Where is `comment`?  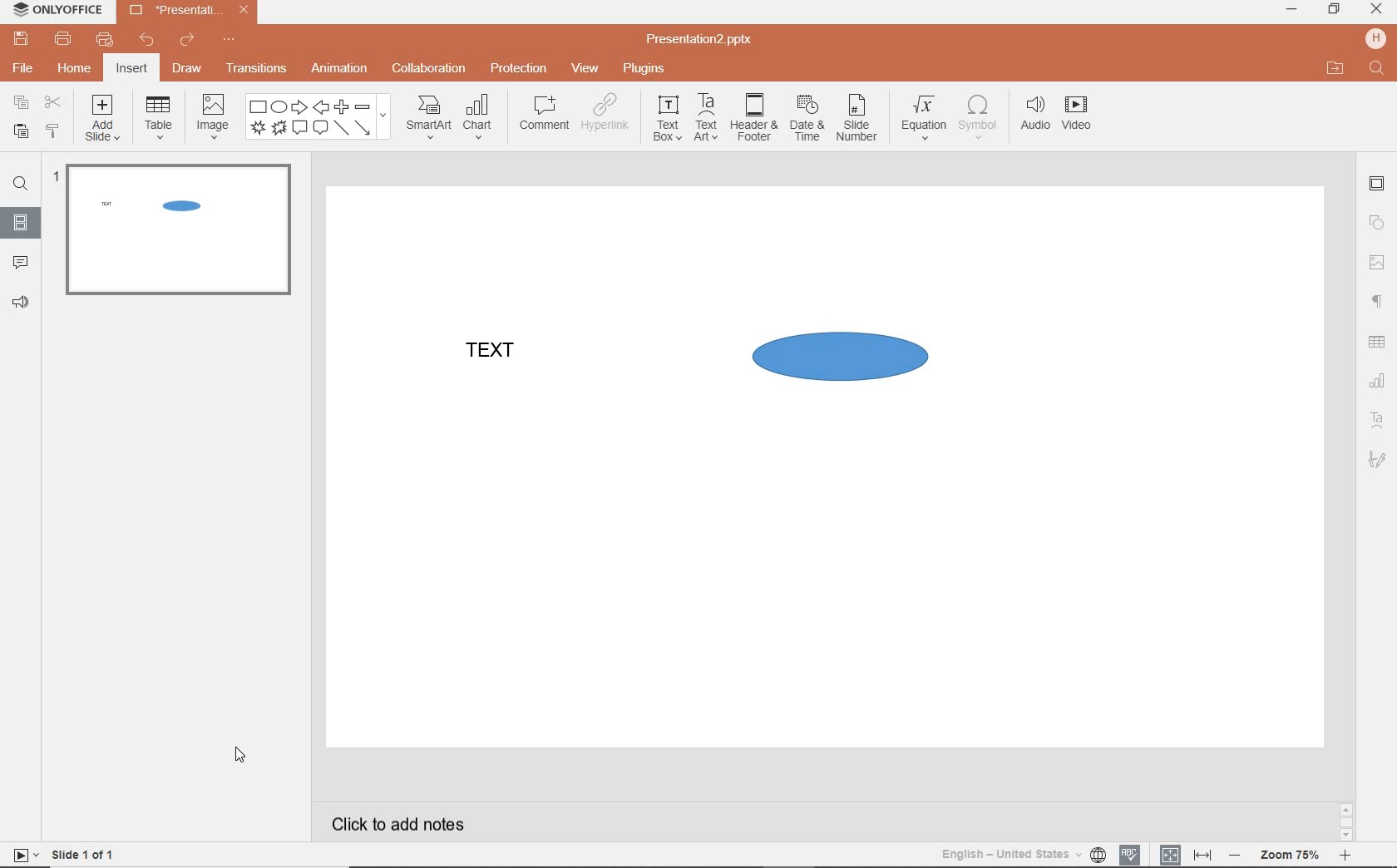
comment is located at coordinates (545, 113).